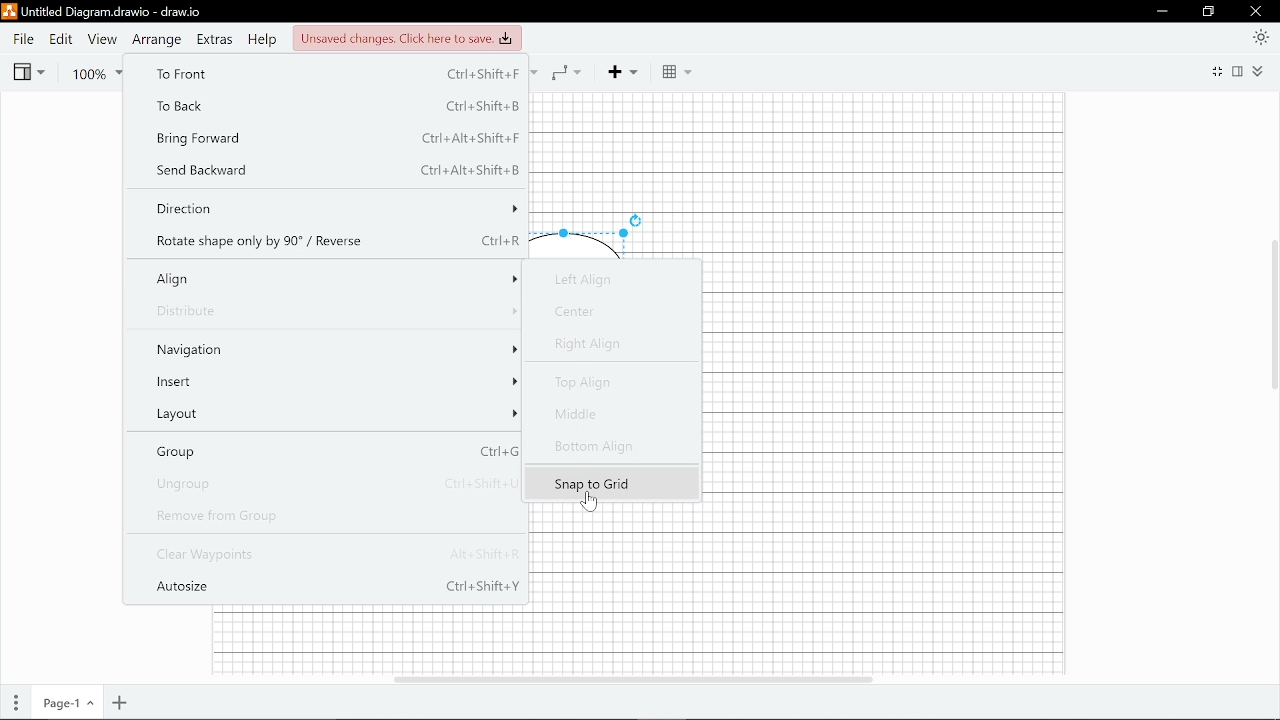 This screenshot has width=1280, height=720. I want to click on Autosize Ctrl+Shift+Y, so click(334, 589).